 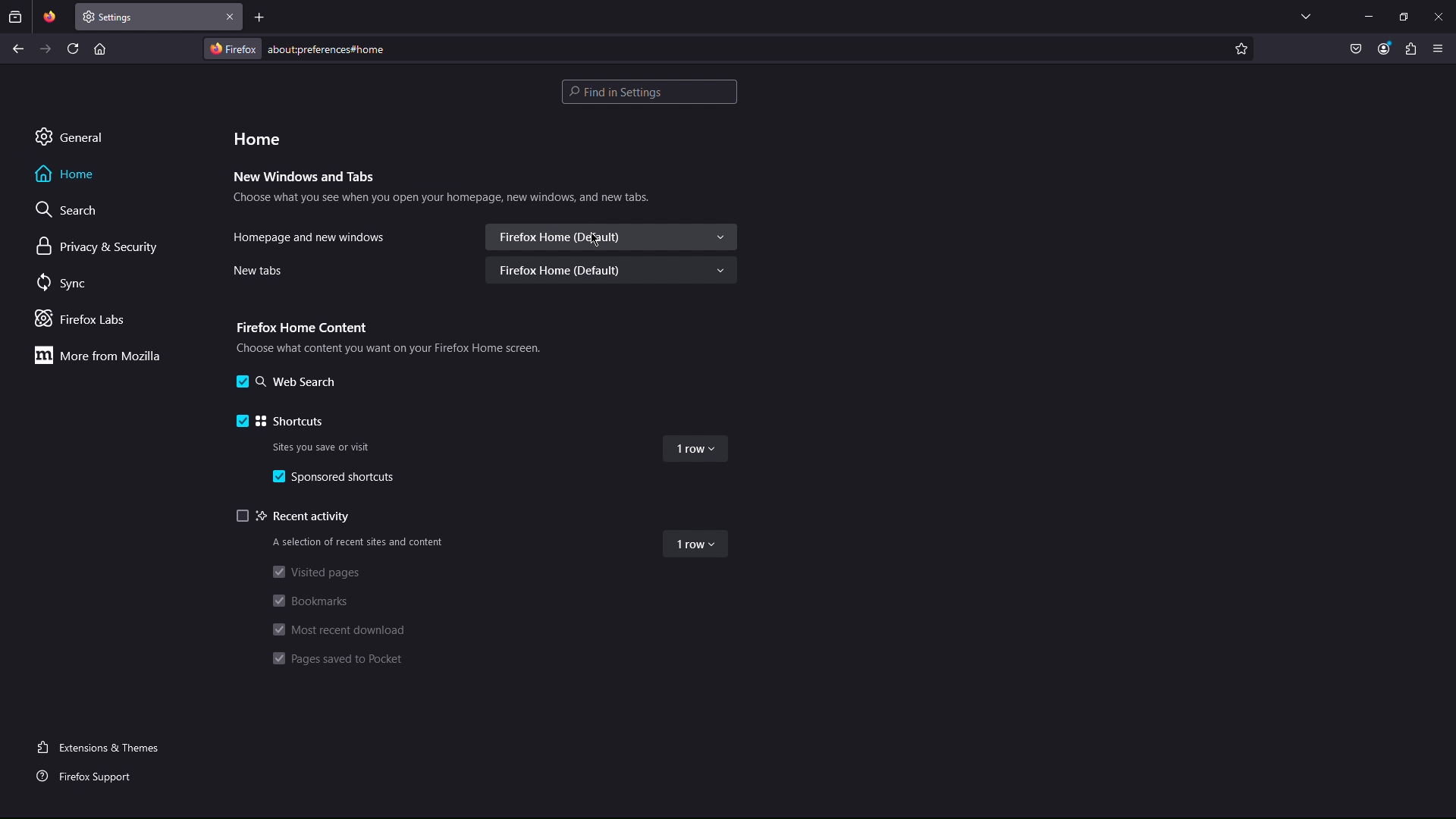 I want to click on New Windows and Tabs, so click(x=305, y=177).